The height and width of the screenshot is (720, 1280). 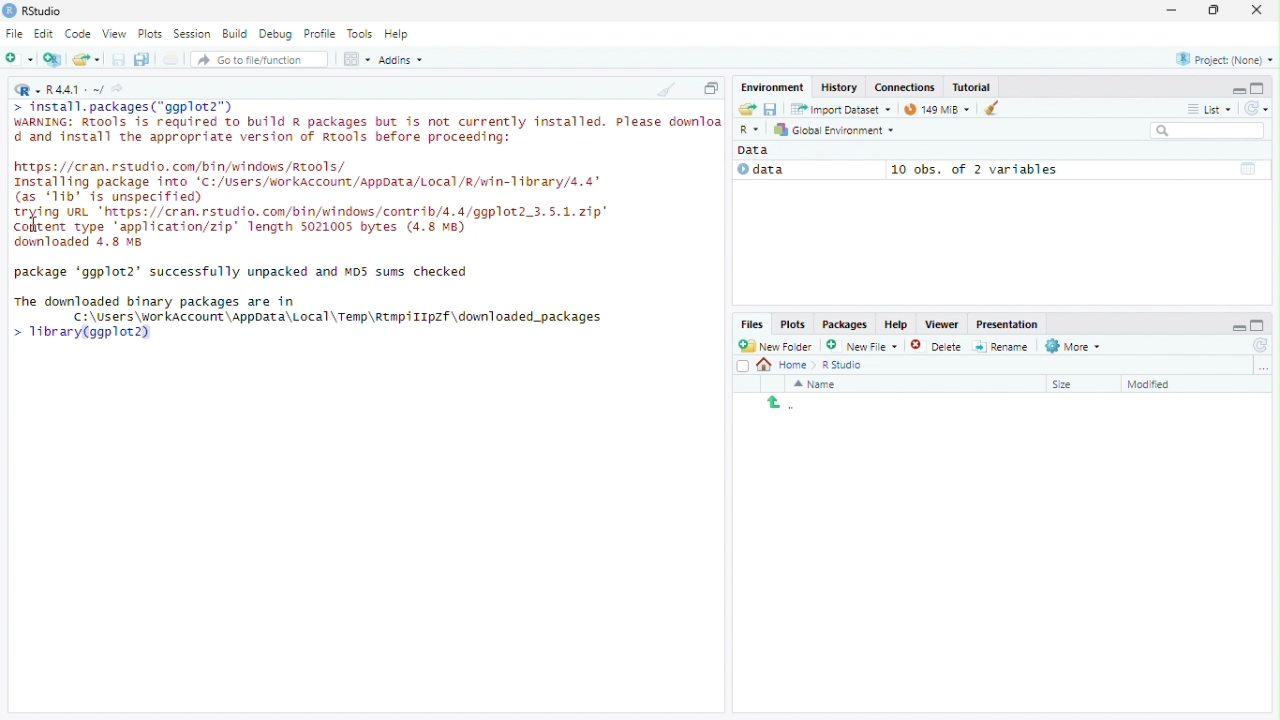 I want to click on 10 obs, of 2 variables, so click(x=1077, y=169).